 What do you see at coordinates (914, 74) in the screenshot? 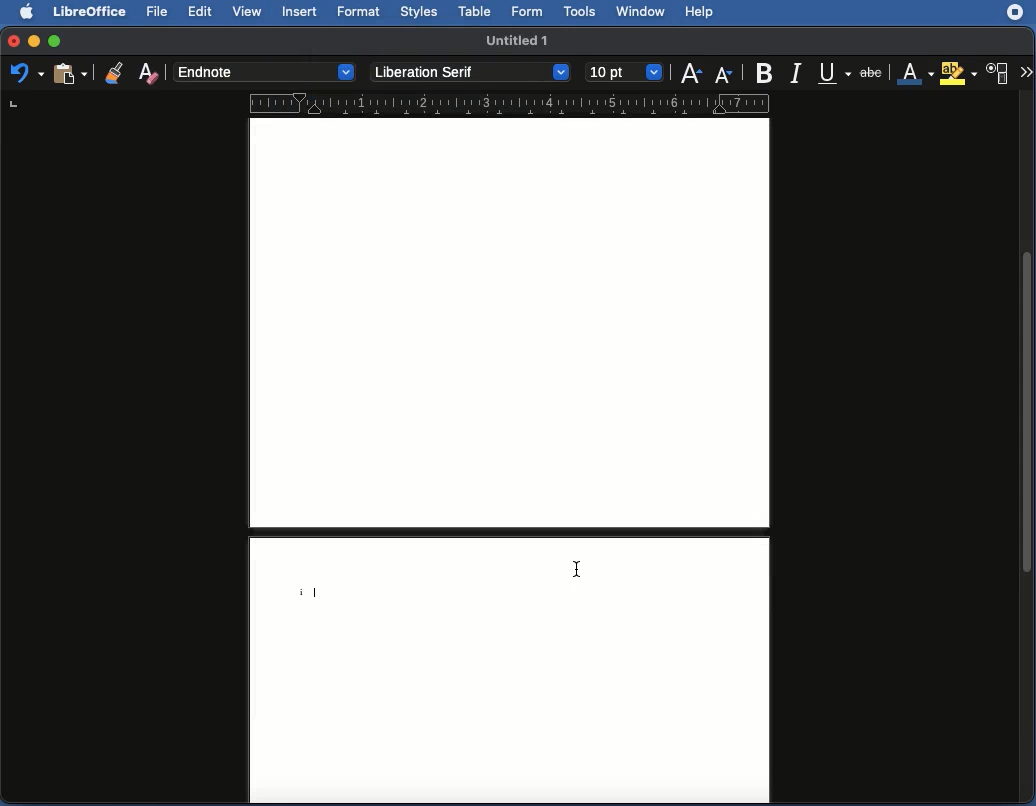
I see `Font color` at bounding box center [914, 74].